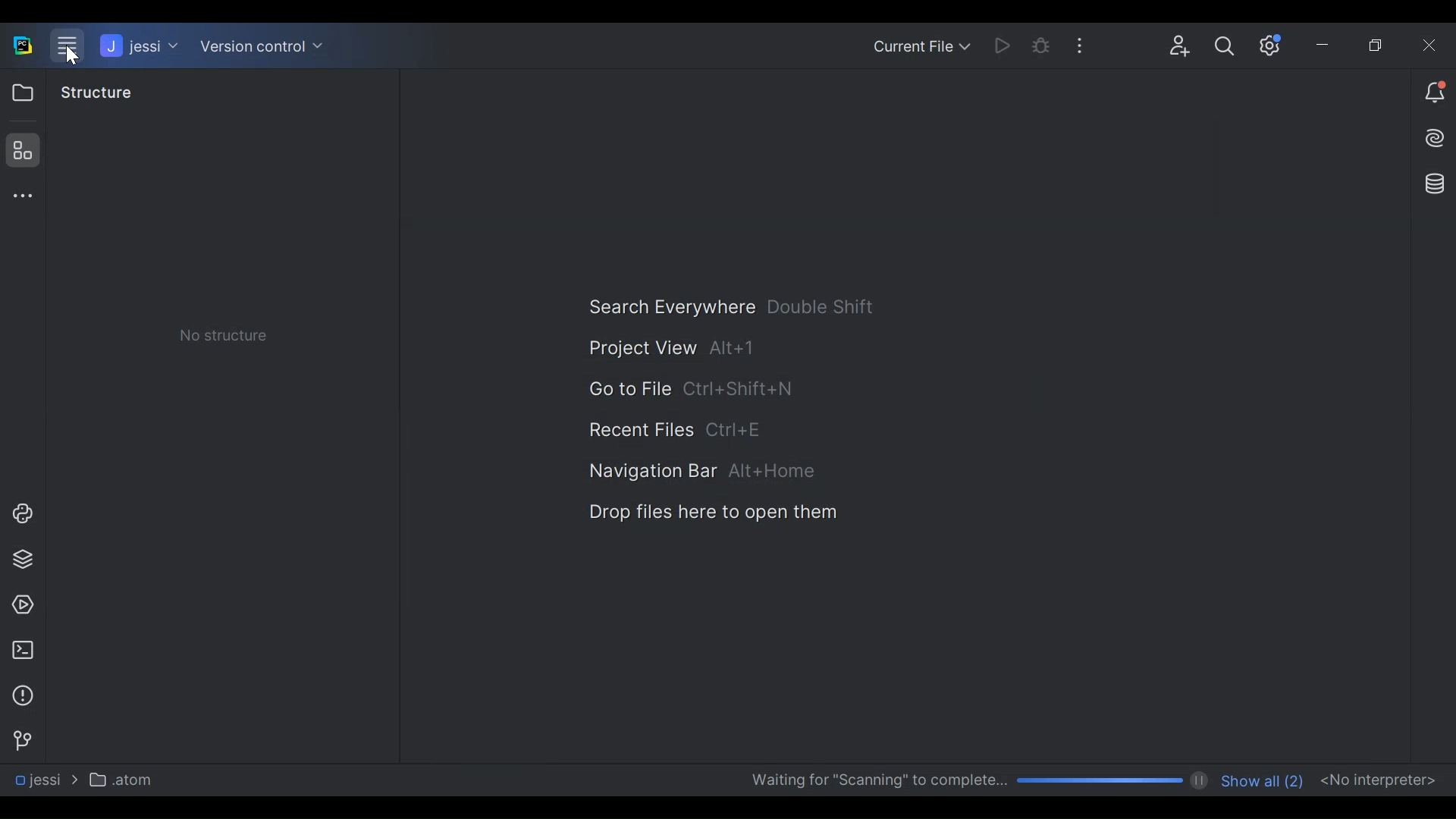 Image resolution: width=1456 pixels, height=819 pixels. What do you see at coordinates (85, 780) in the screenshot?
I see `Navigation` at bounding box center [85, 780].